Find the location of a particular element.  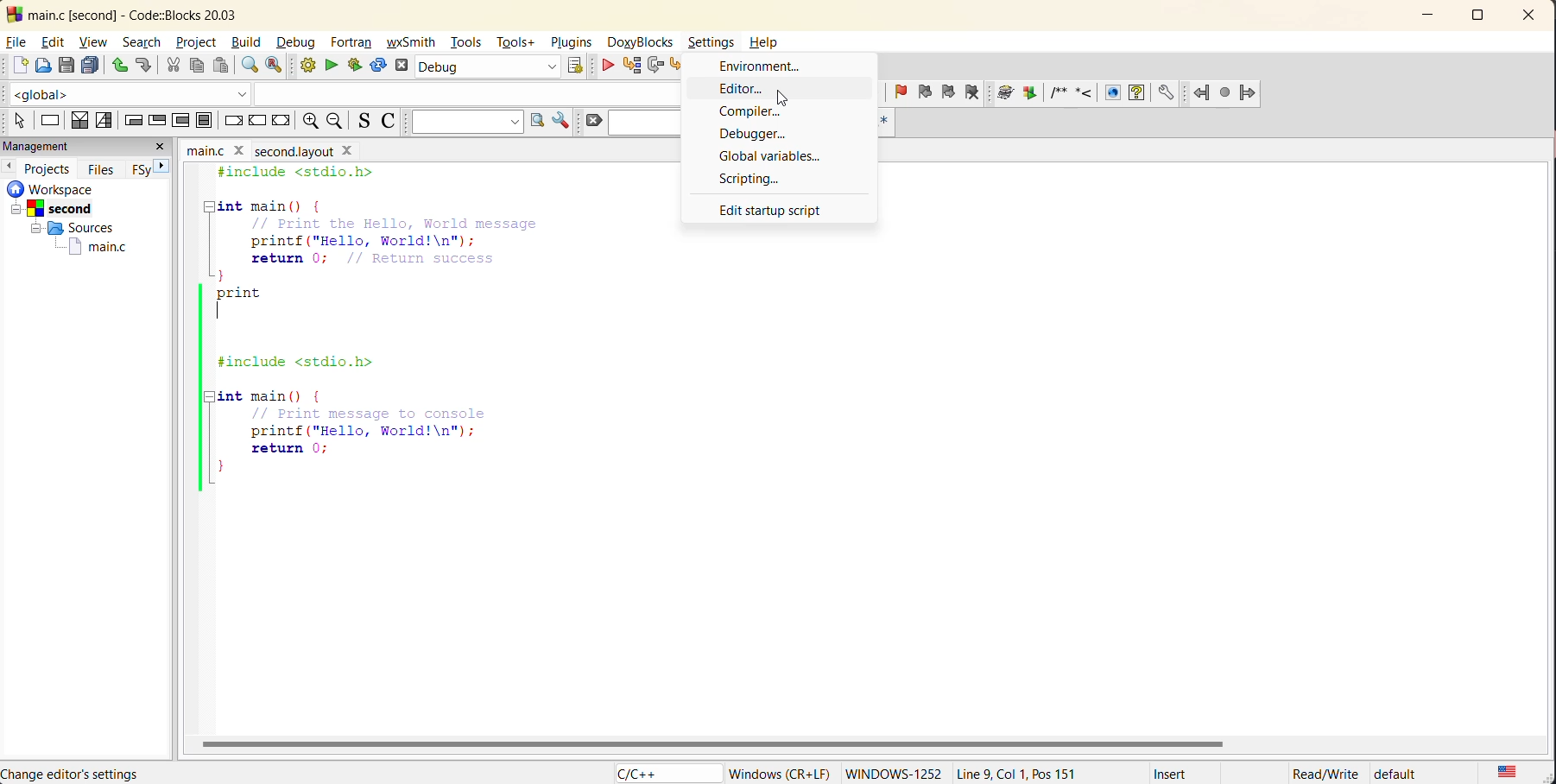

clear bookmark is located at coordinates (977, 95).